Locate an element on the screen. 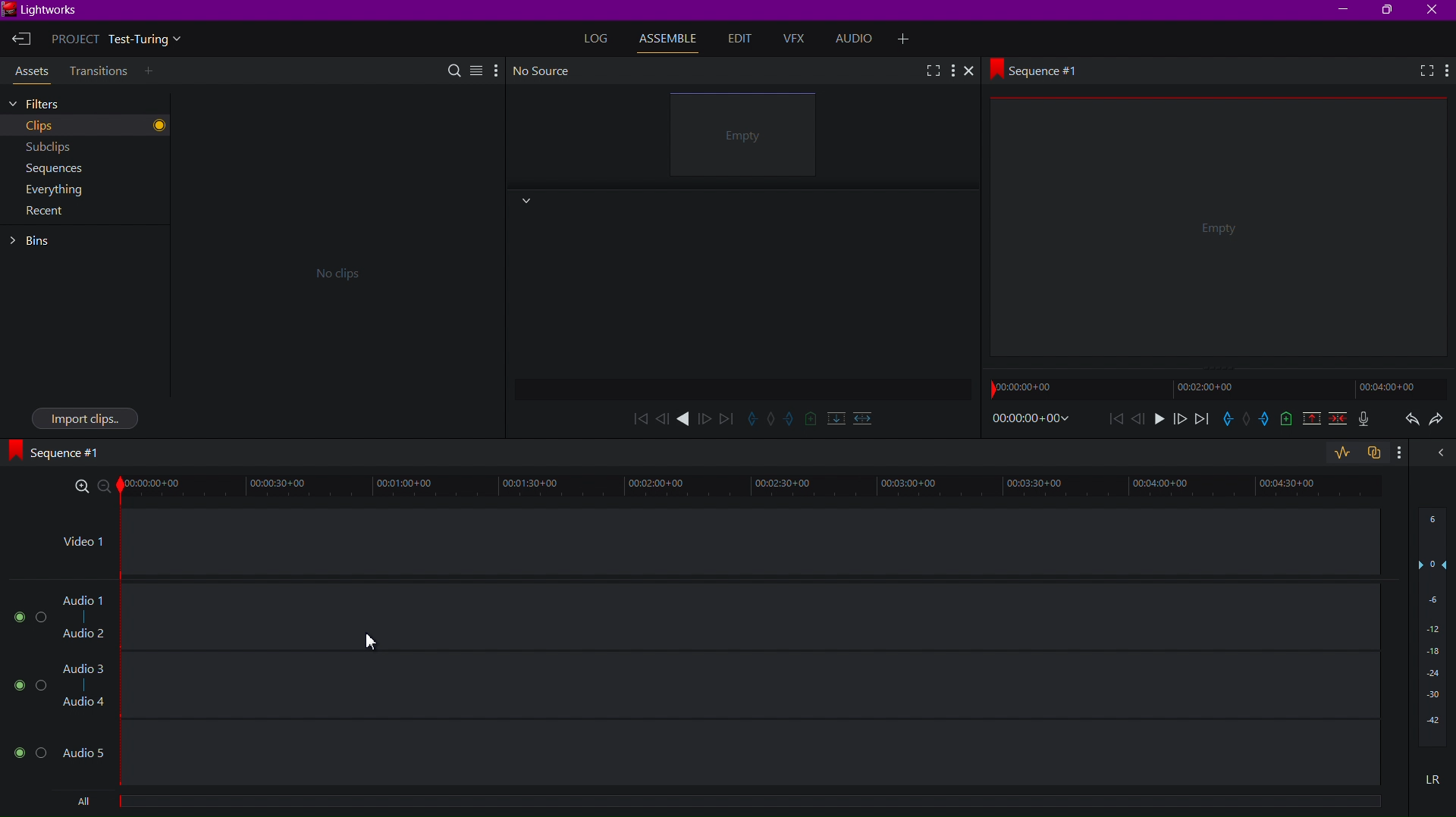 The height and width of the screenshot is (817, 1456). Close is located at coordinates (974, 72).